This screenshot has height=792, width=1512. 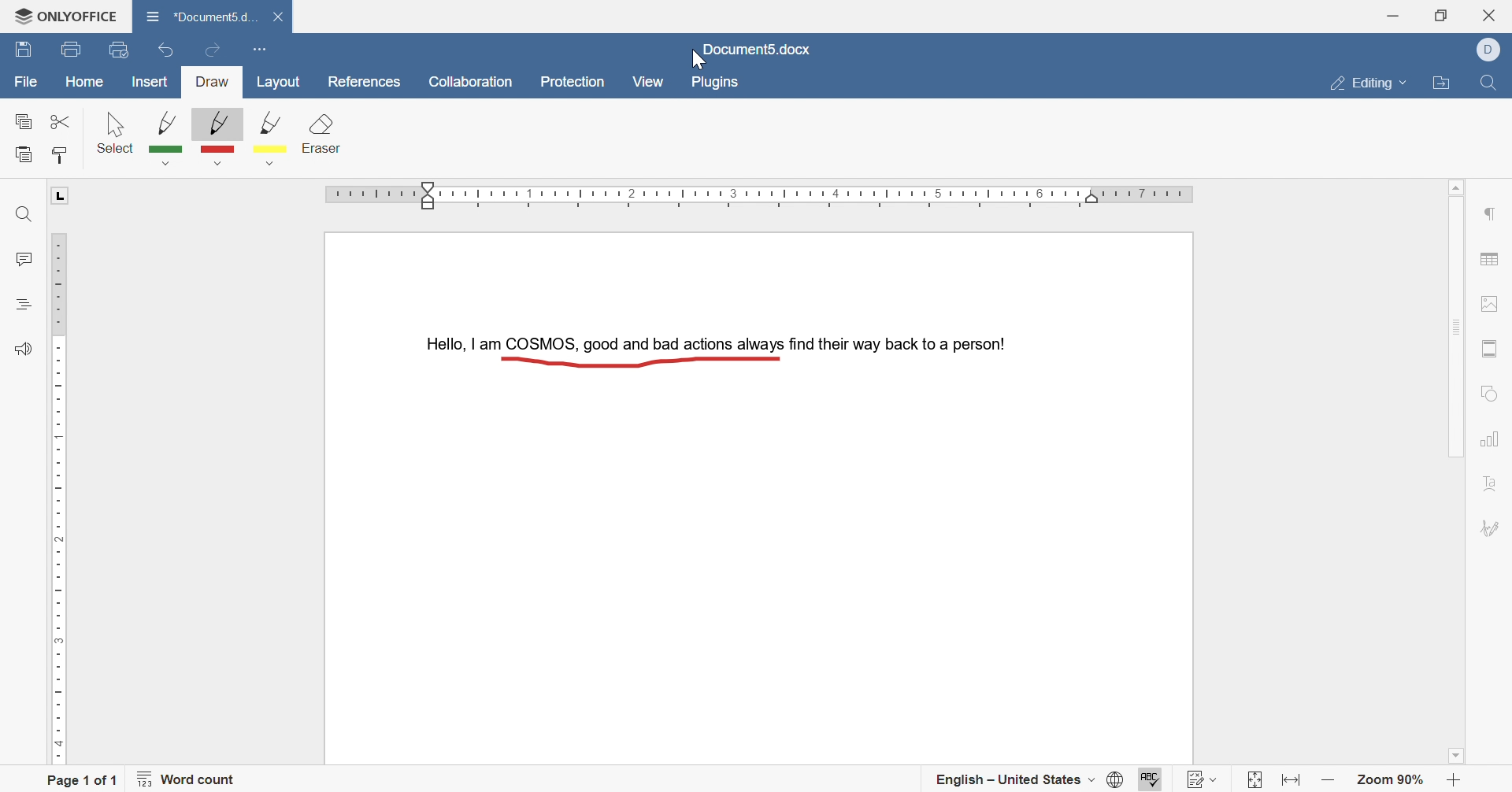 What do you see at coordinates (168, 137) in the screenshot?
I see `green pen ` at bounding box center [168, 137].